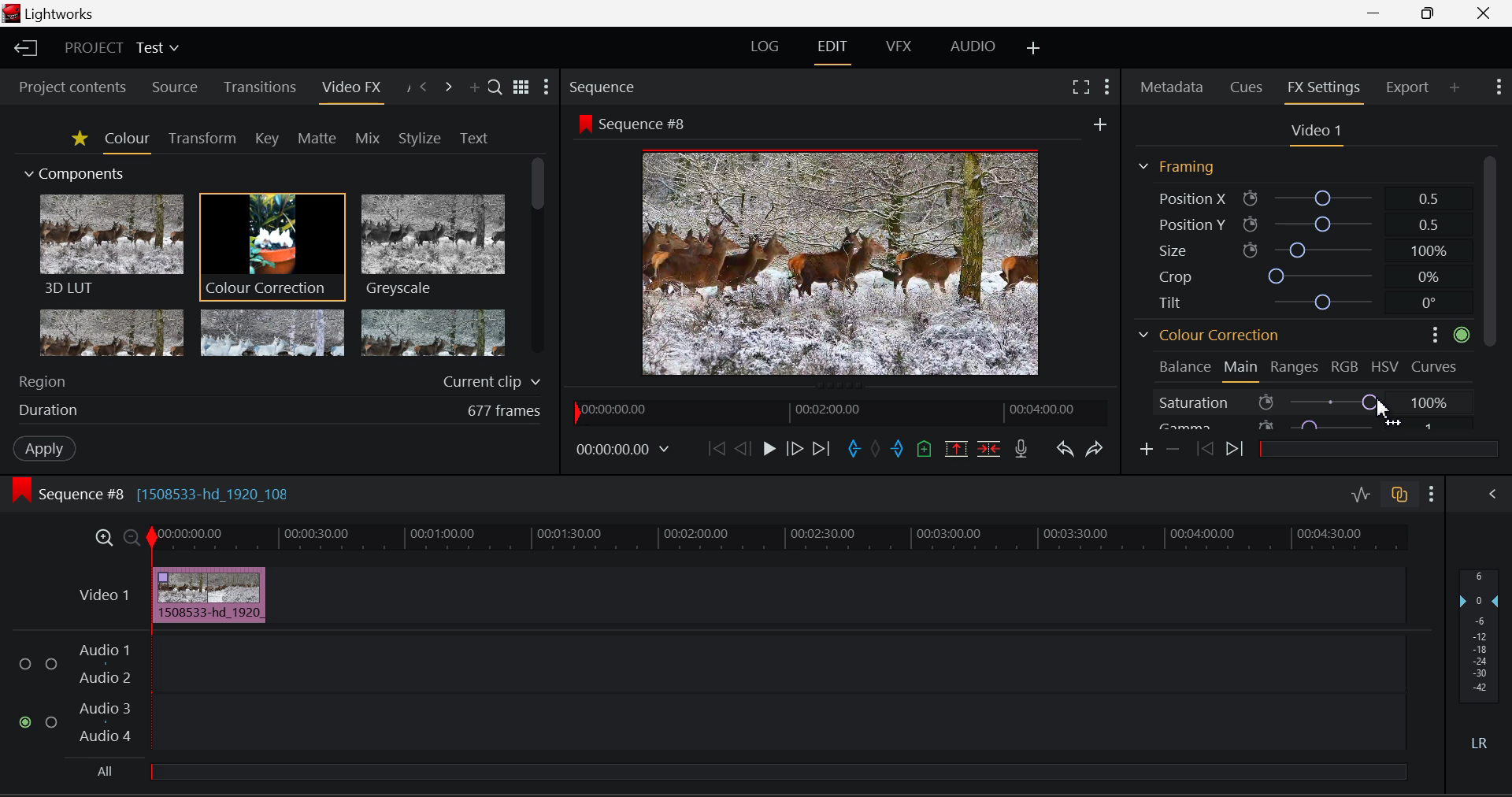 The image size is (1512, 797). What do you see at coordinates (424, 86) in the screenshot?
I see `Previous Panel` at bounding box center [424, 86].